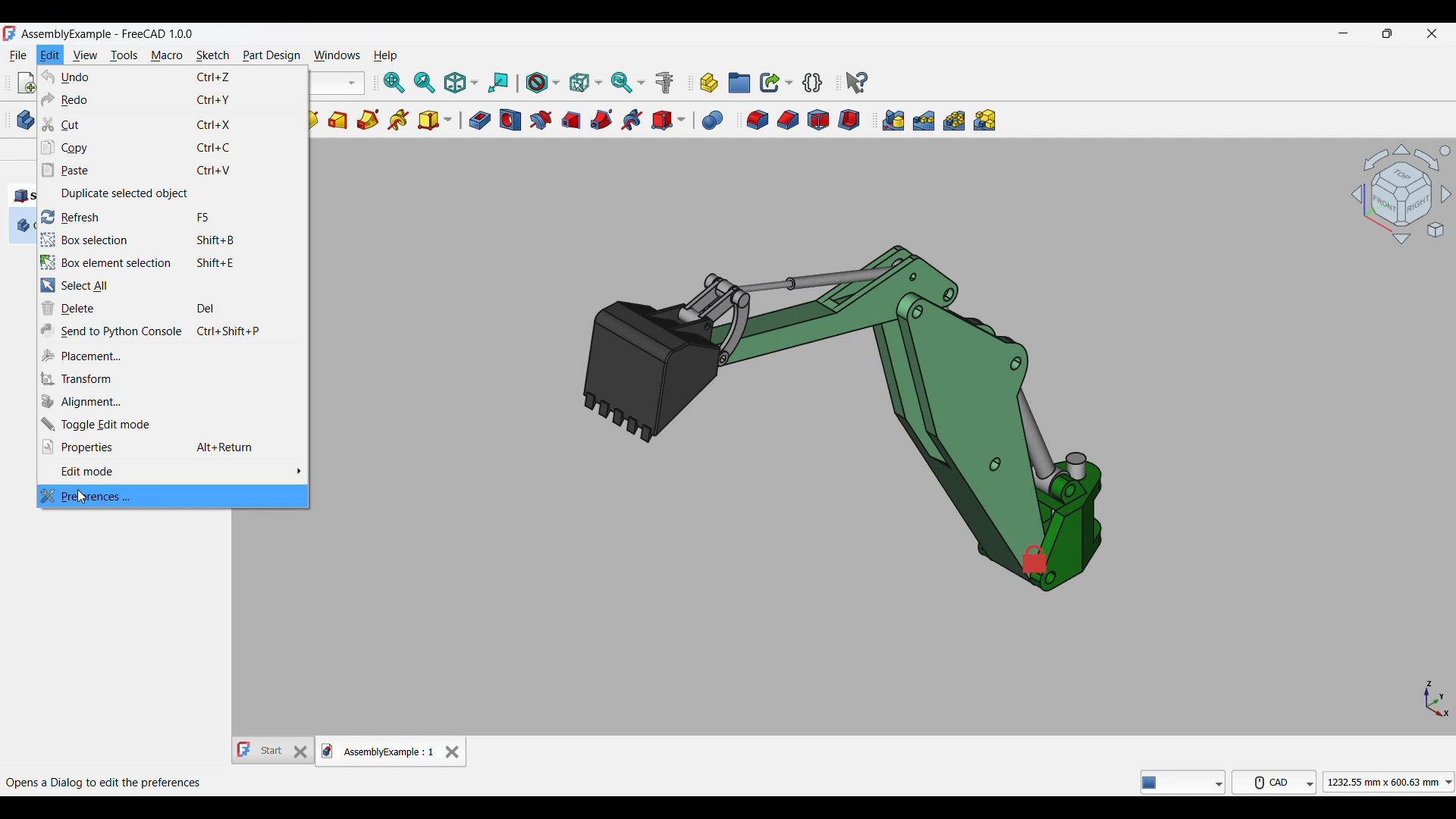 This screenshot has height=819, width=1456. What do you see at coordinates (124, 55) in the screenshot?
I see `Tools menu` at bounding box center [124, 55].